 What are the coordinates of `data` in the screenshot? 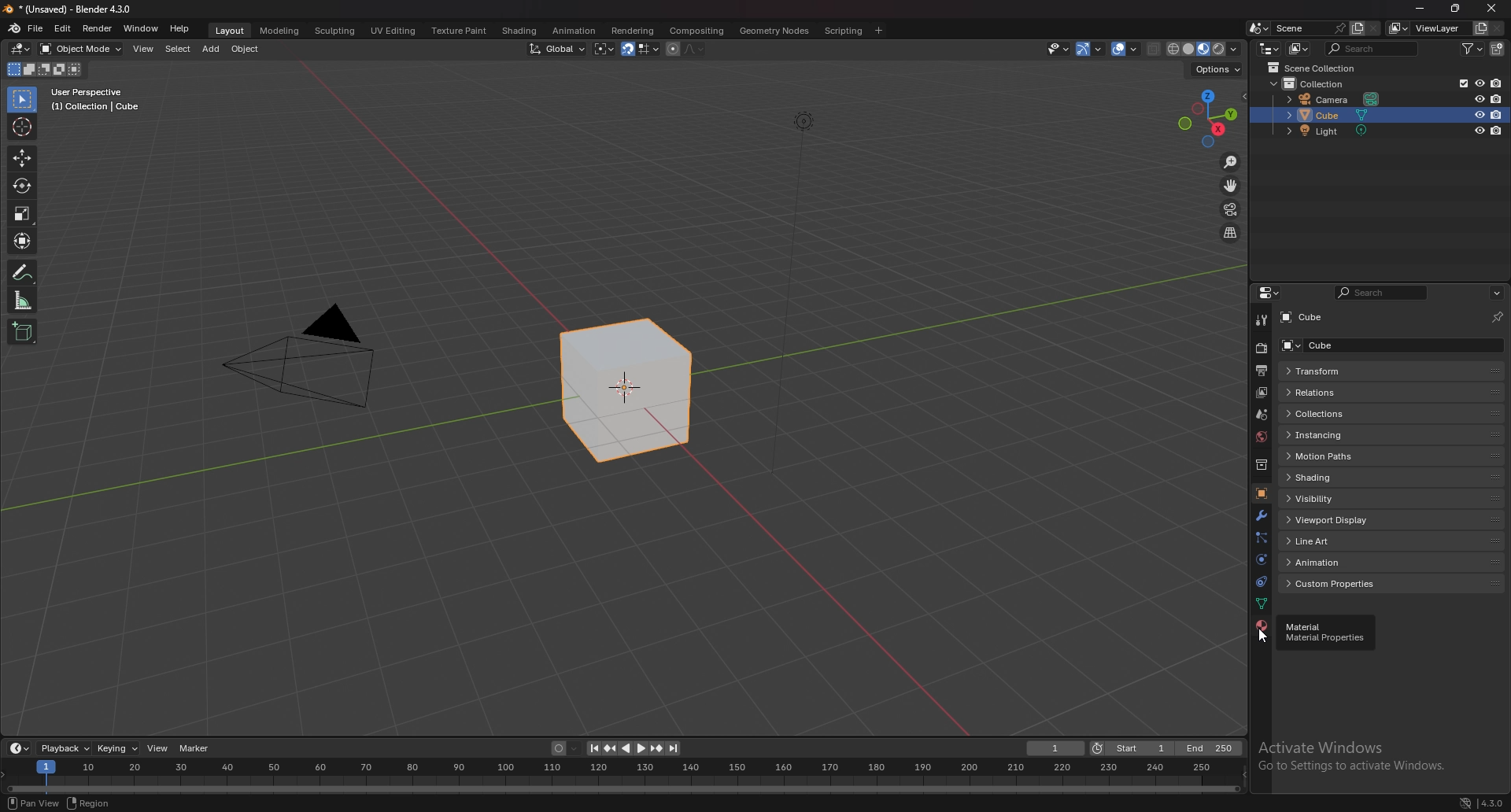 It's located at (1261, 603).